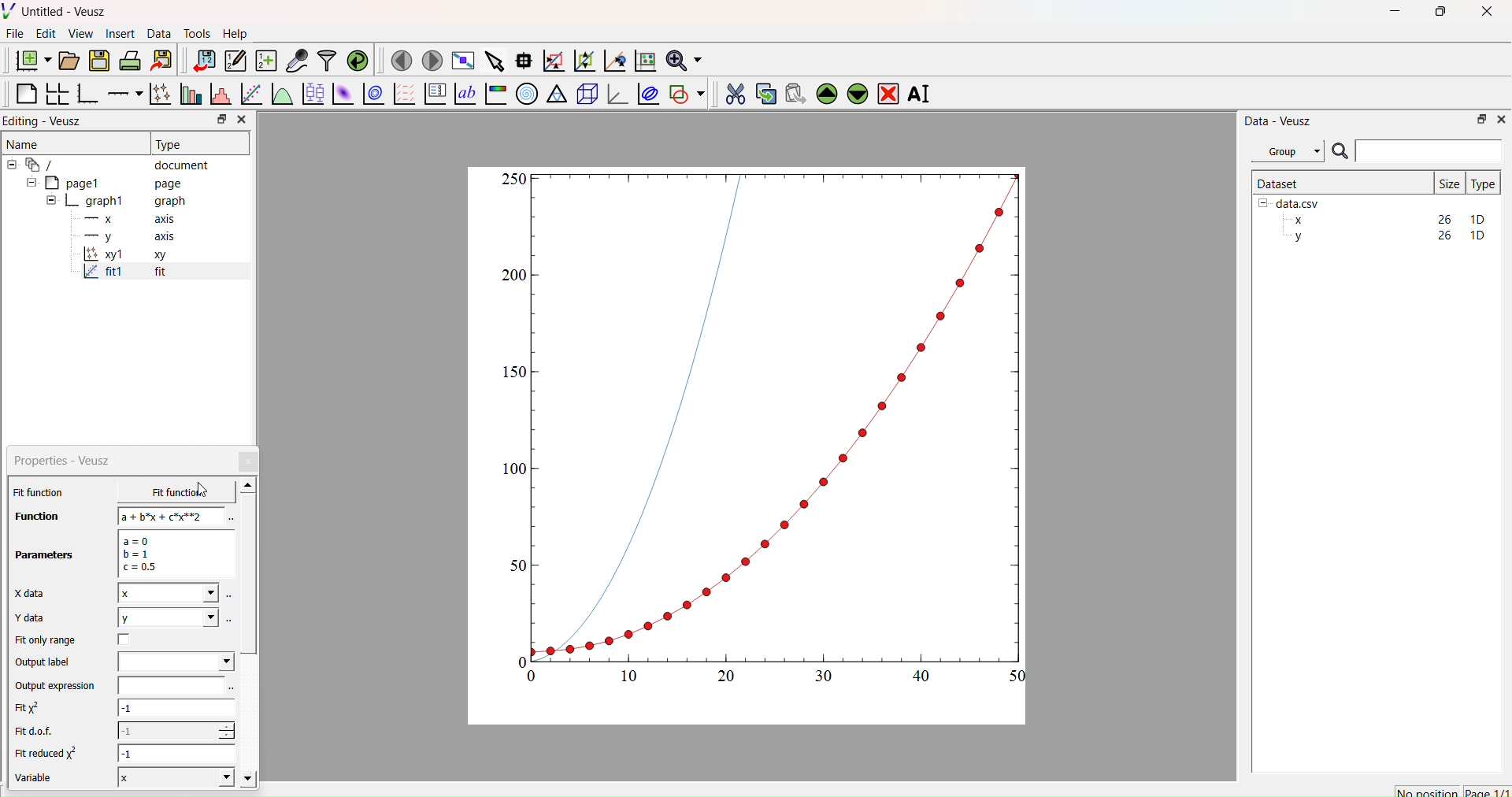  What do you see at coordinates (1449, 182) in the screenshot?
I see `| Size` at bounding box center [1449, 182].